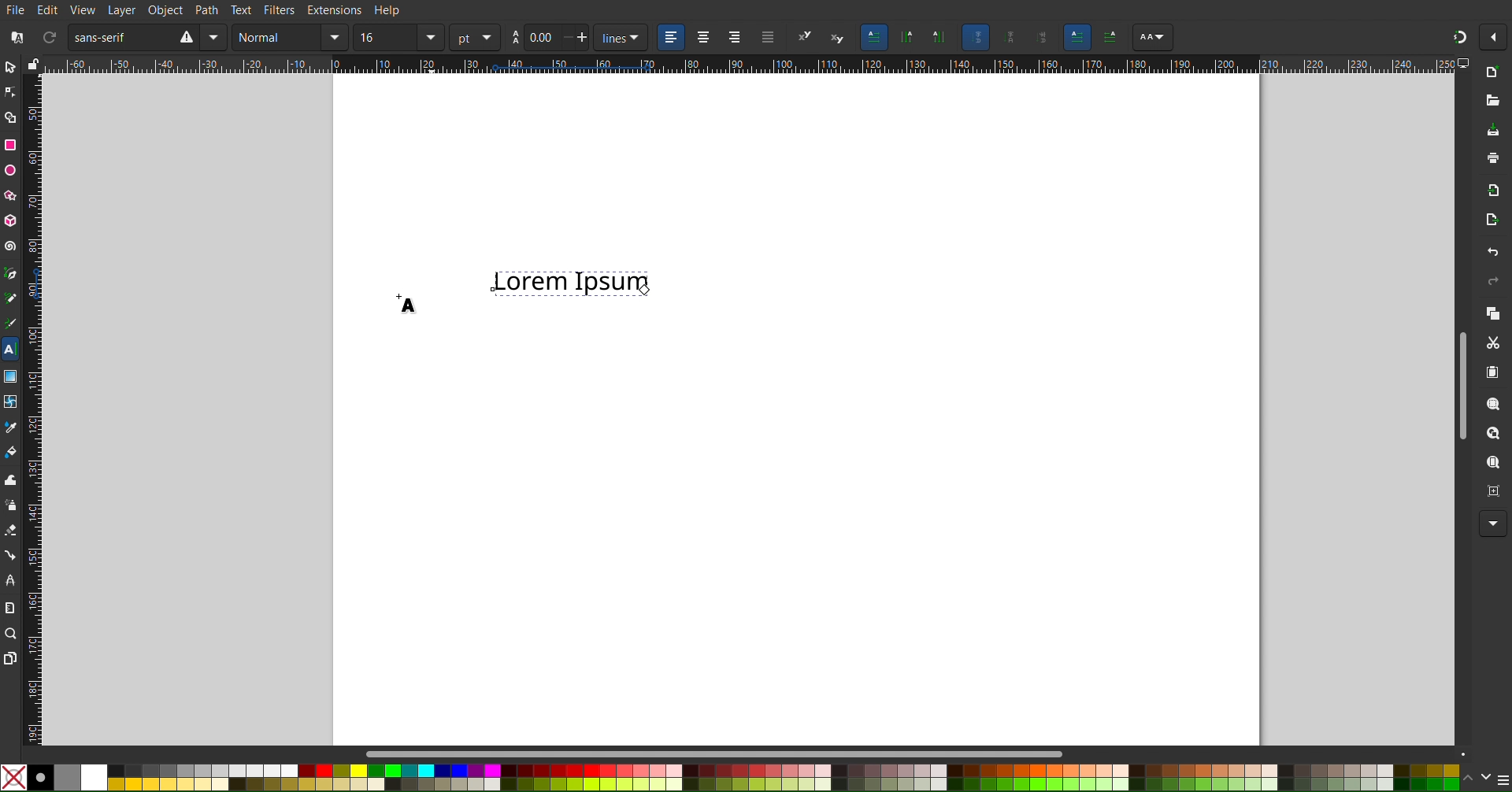  What do you see at coordinates (33, 62) in the screenshot?
I see `lock` at bounding box center [33, 62].